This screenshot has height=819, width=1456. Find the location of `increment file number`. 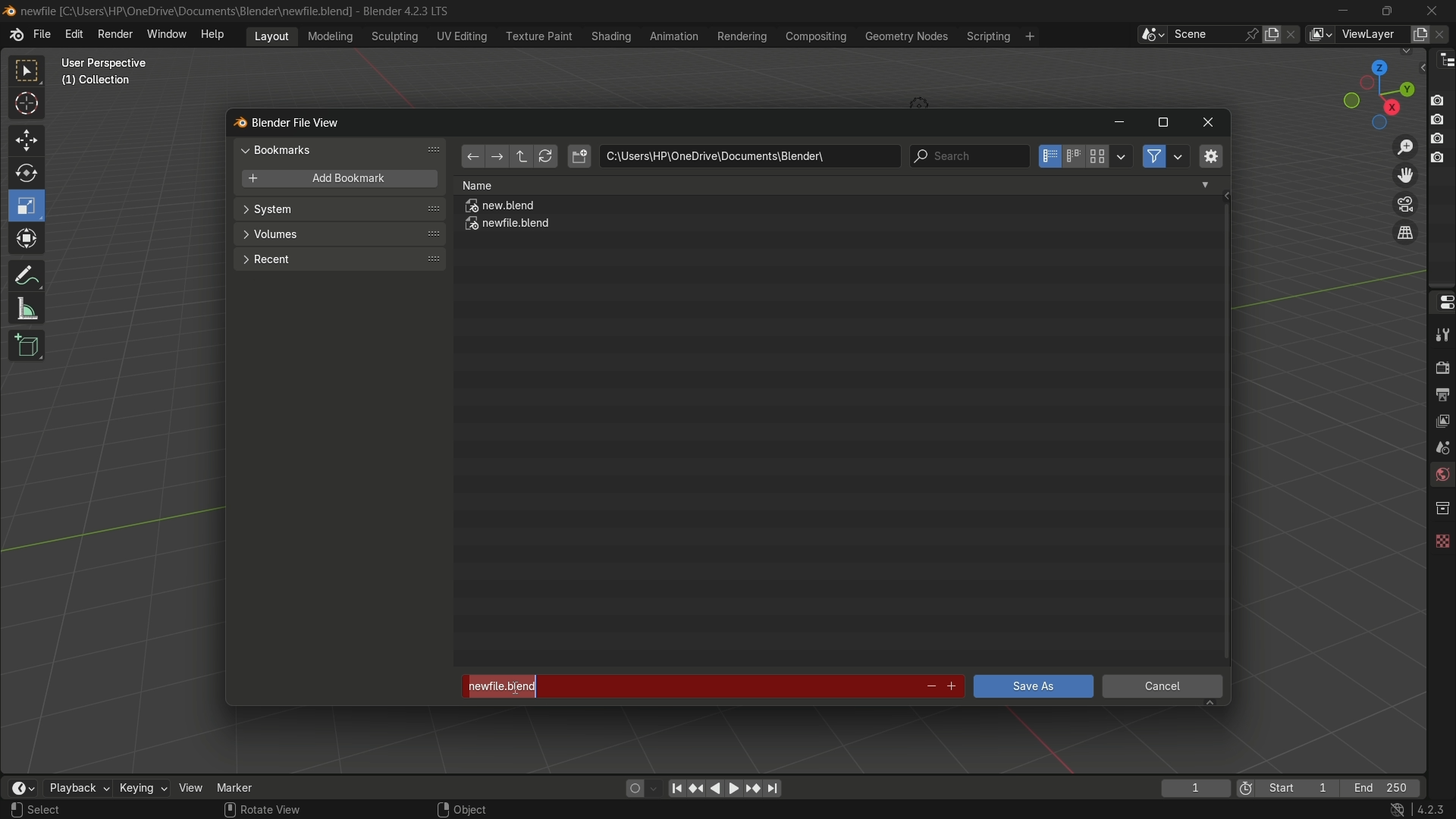

increment file number is located at coordinates (952, 687).